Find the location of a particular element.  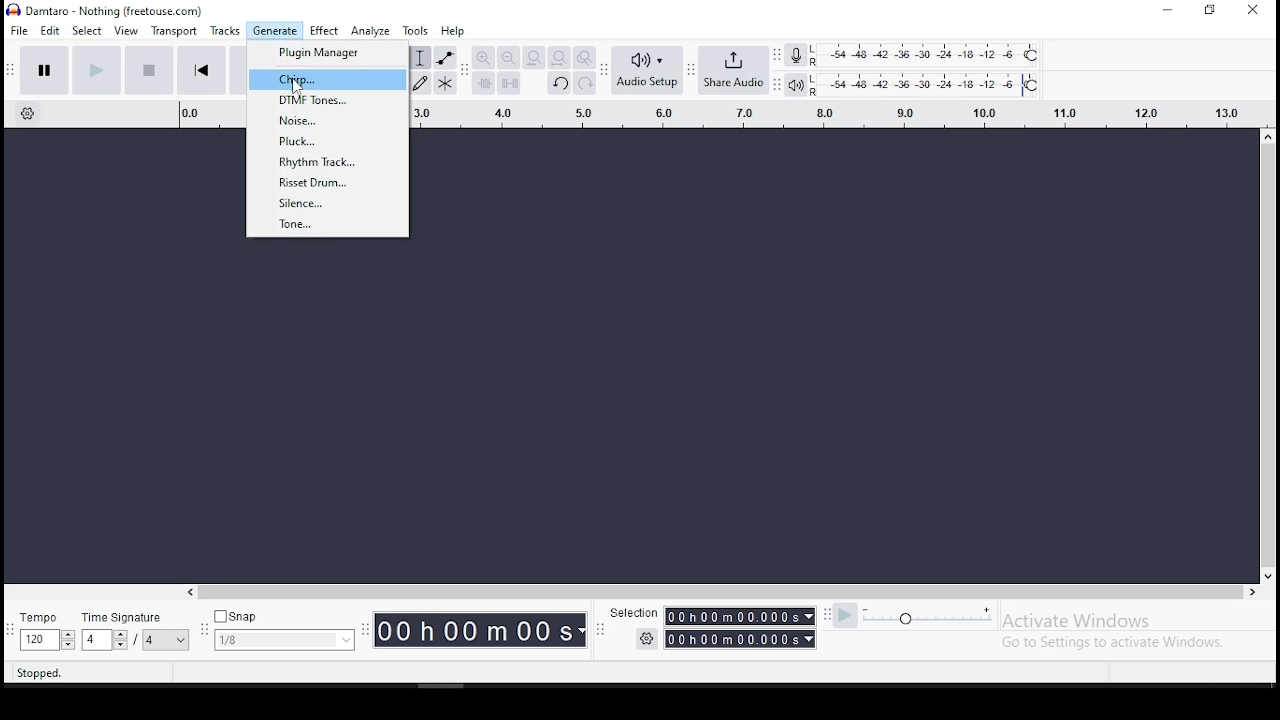

horizontal scroll bar is located at coordinates (484, 588).